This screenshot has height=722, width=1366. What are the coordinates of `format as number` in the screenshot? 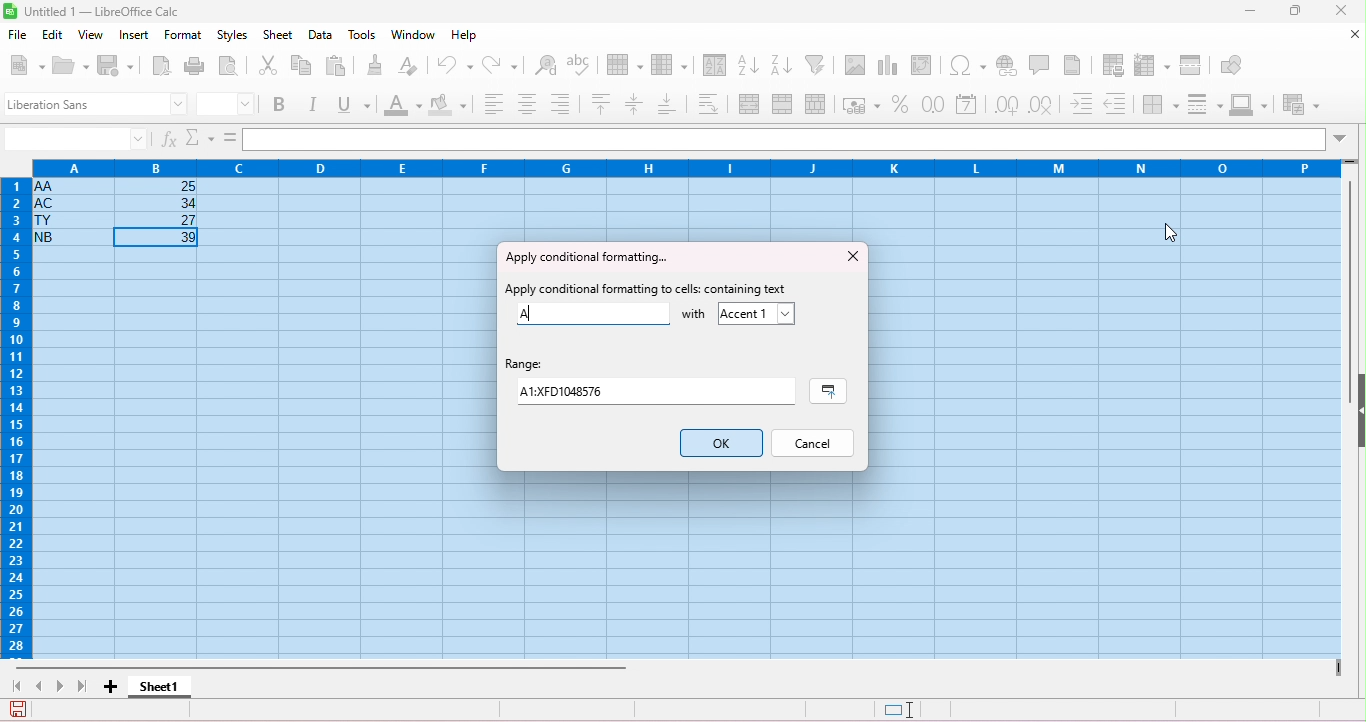 It's located at (934, 104).